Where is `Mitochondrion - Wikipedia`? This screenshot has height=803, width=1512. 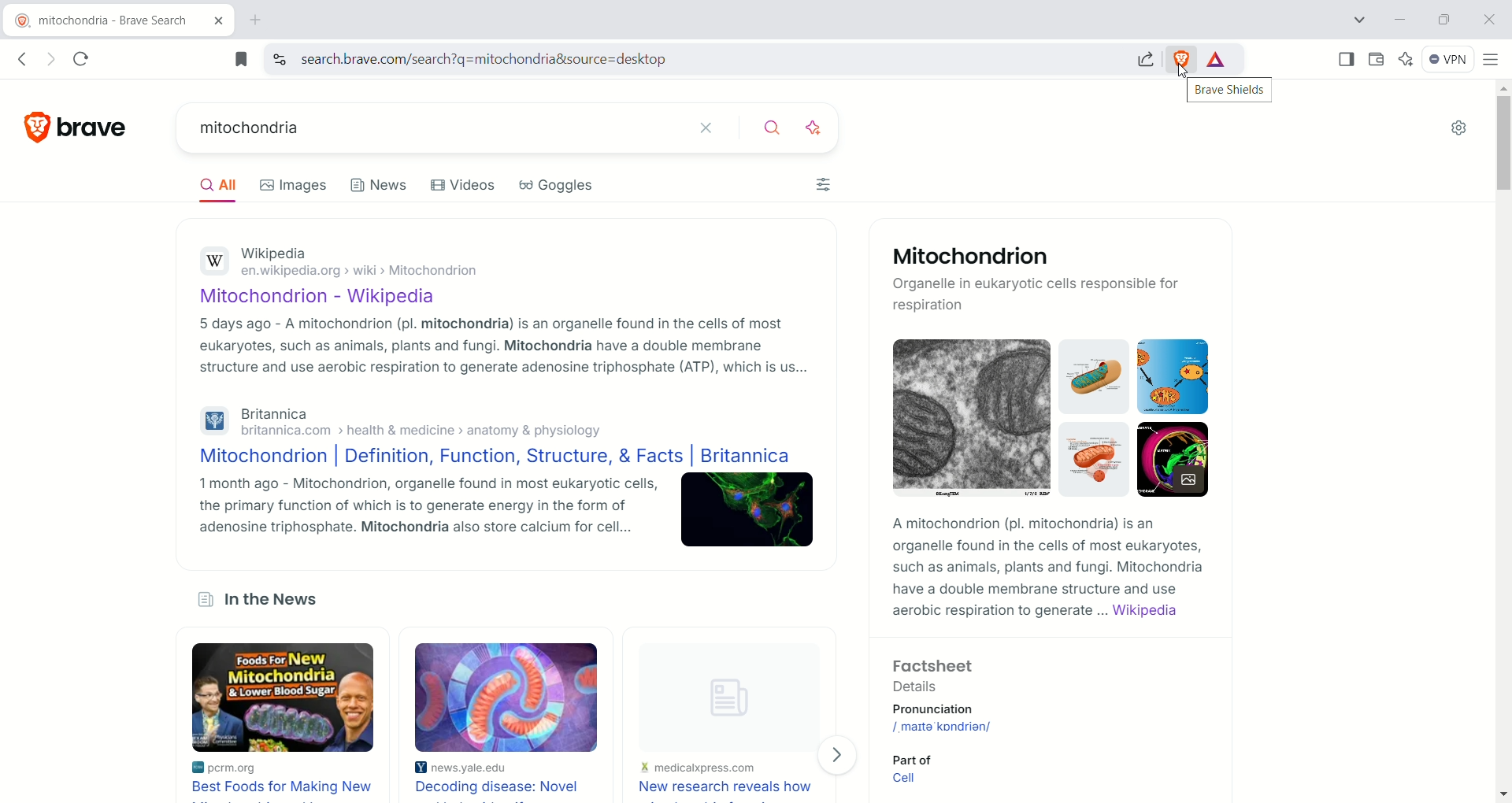
Mitochondrion - Wikipedia is located at coordinates (332, 298).